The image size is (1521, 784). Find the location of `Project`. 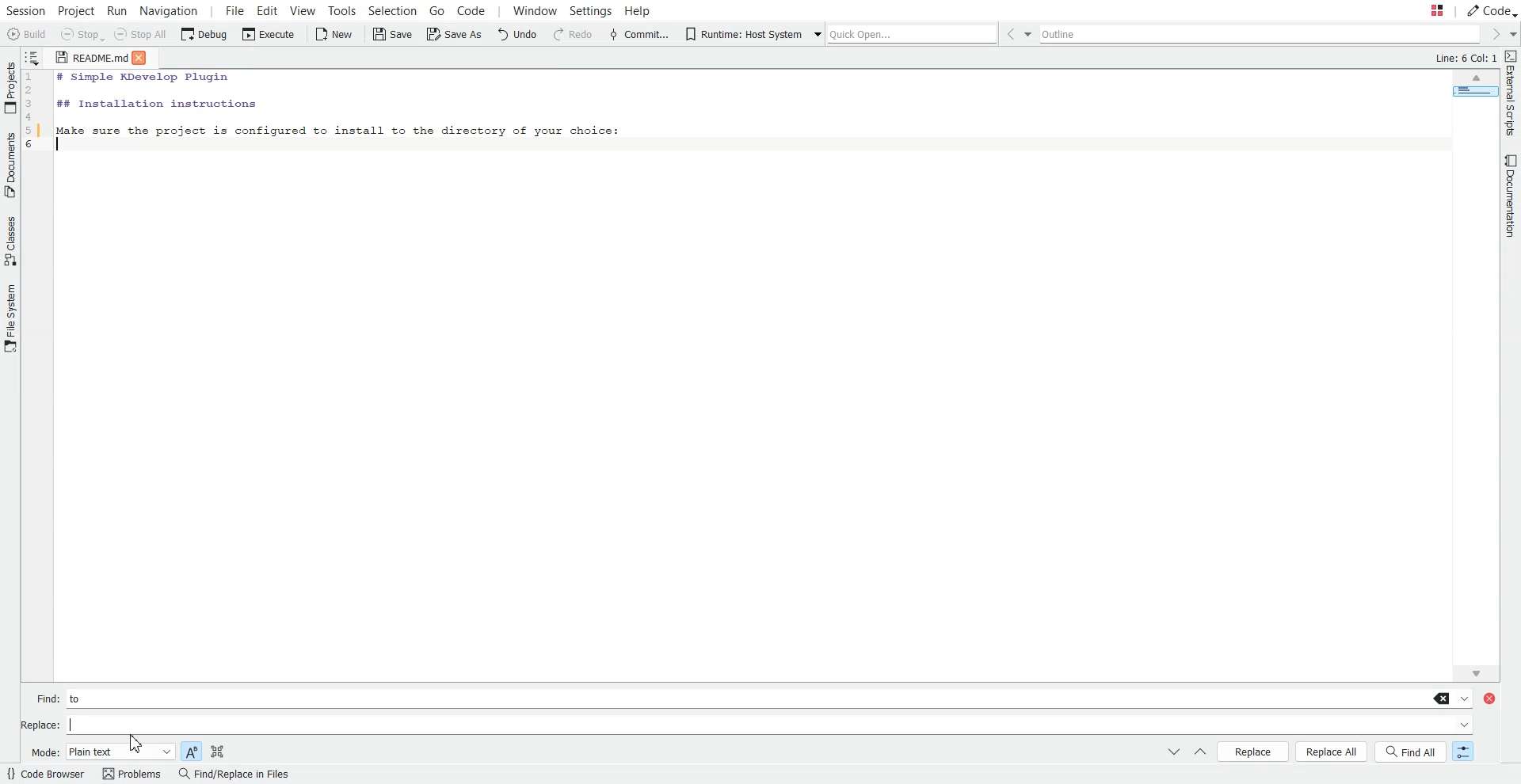

Project is located at coordinates (77, 10).